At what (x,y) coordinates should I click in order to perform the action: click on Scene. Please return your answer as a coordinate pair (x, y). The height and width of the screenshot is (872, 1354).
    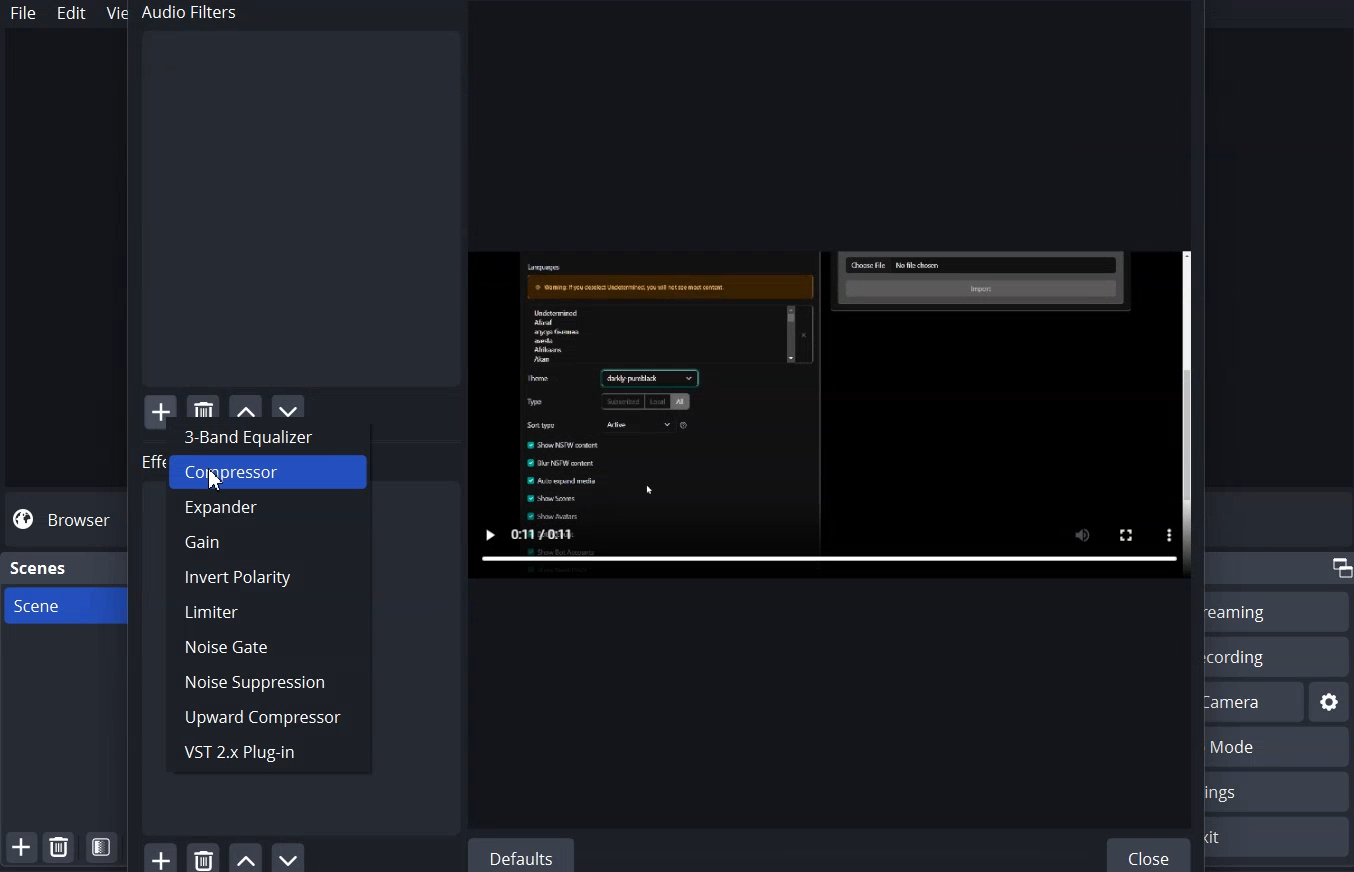
    Looking at the image, I should click on (63, 606).